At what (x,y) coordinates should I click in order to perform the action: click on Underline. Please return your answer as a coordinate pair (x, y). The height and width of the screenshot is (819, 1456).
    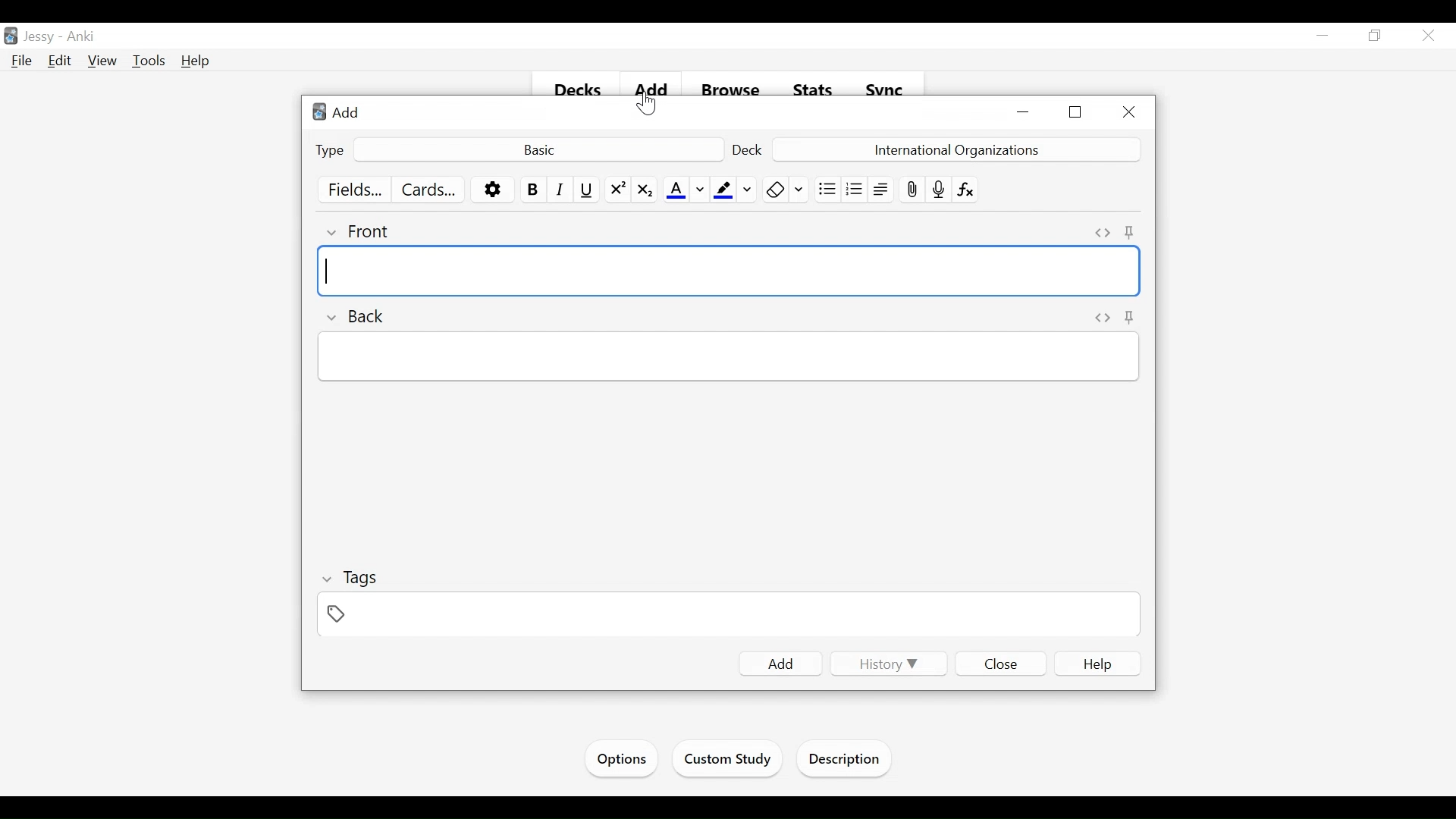
    Looking at the image, I should click on (588, 190).